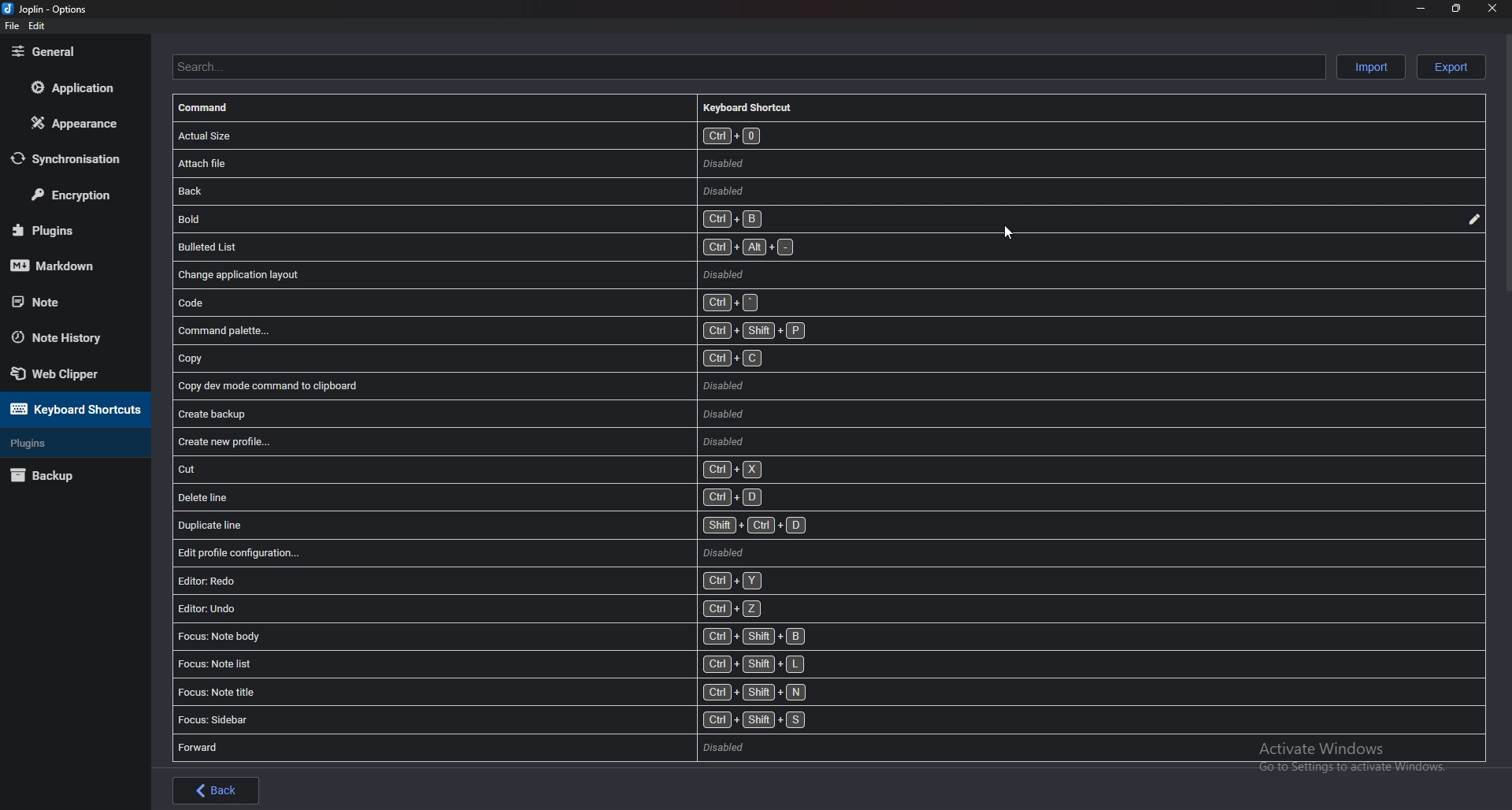  I want to click on Synchronization, so click(76, 158).